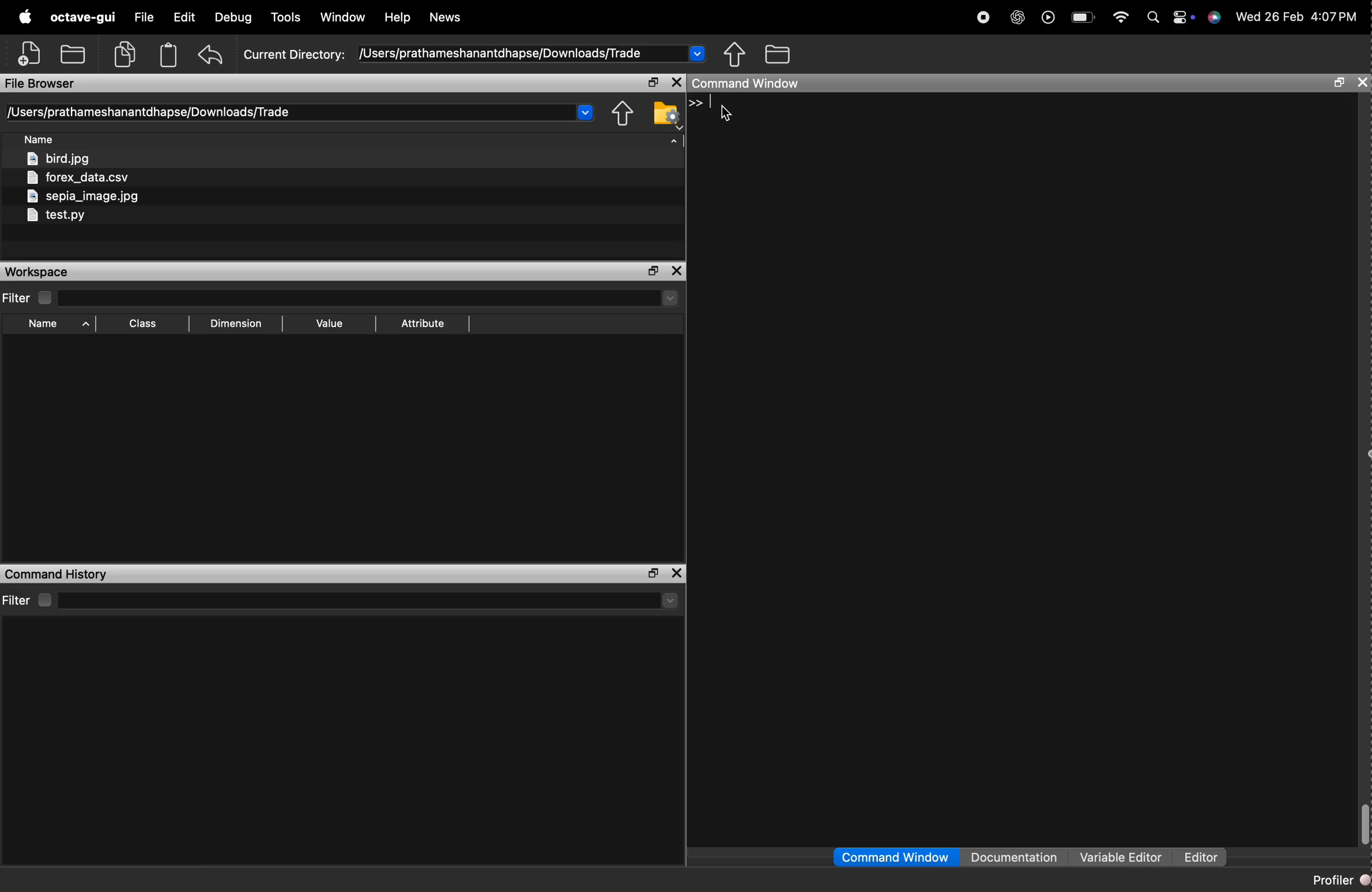 The height and width of the screenshot is (892, 1372). Describe the element at coordinates (679, 573) in the screenshot. I see `close` at that location.